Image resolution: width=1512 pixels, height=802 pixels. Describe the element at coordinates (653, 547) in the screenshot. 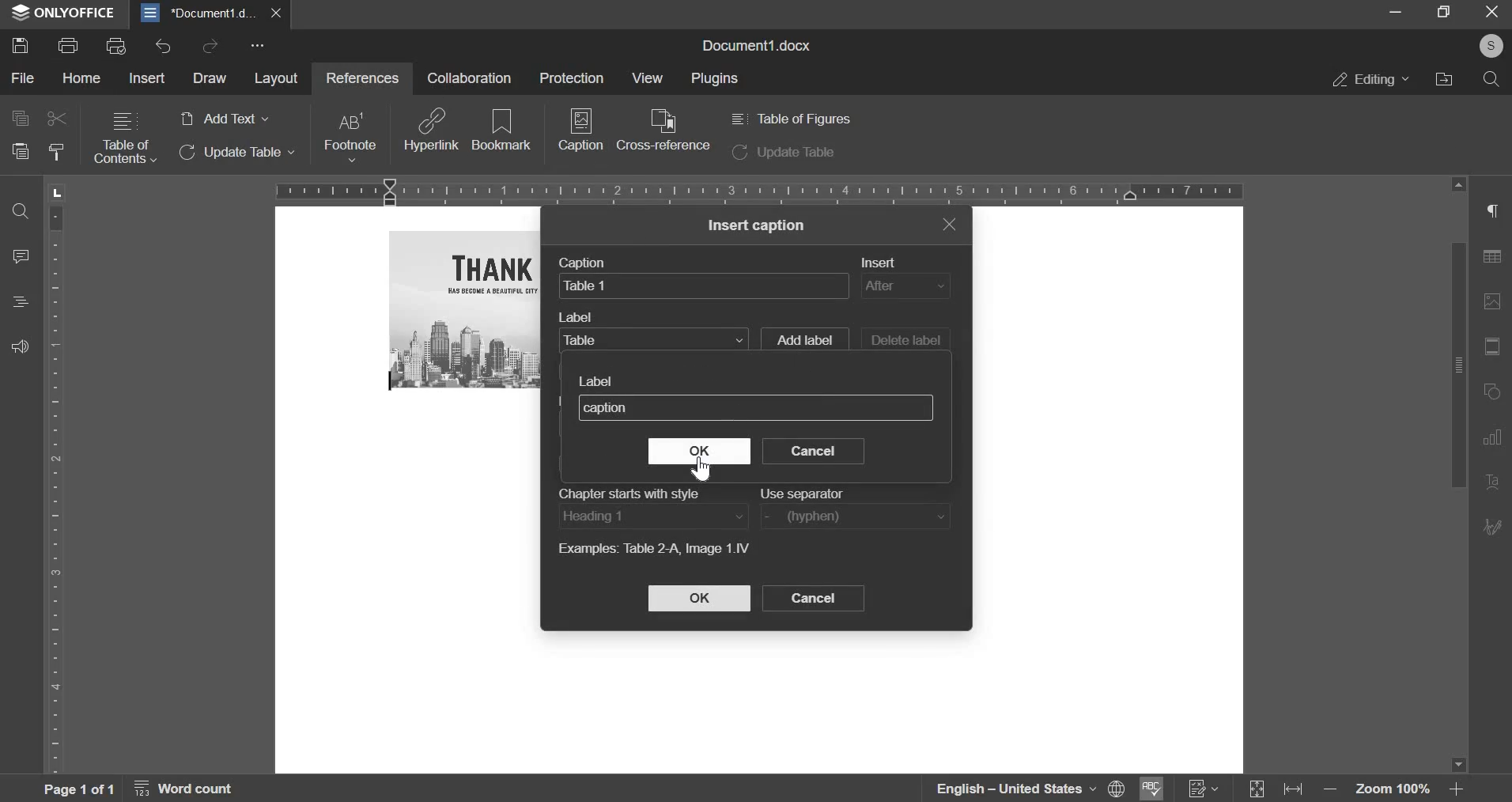

I see `Example` at that location.